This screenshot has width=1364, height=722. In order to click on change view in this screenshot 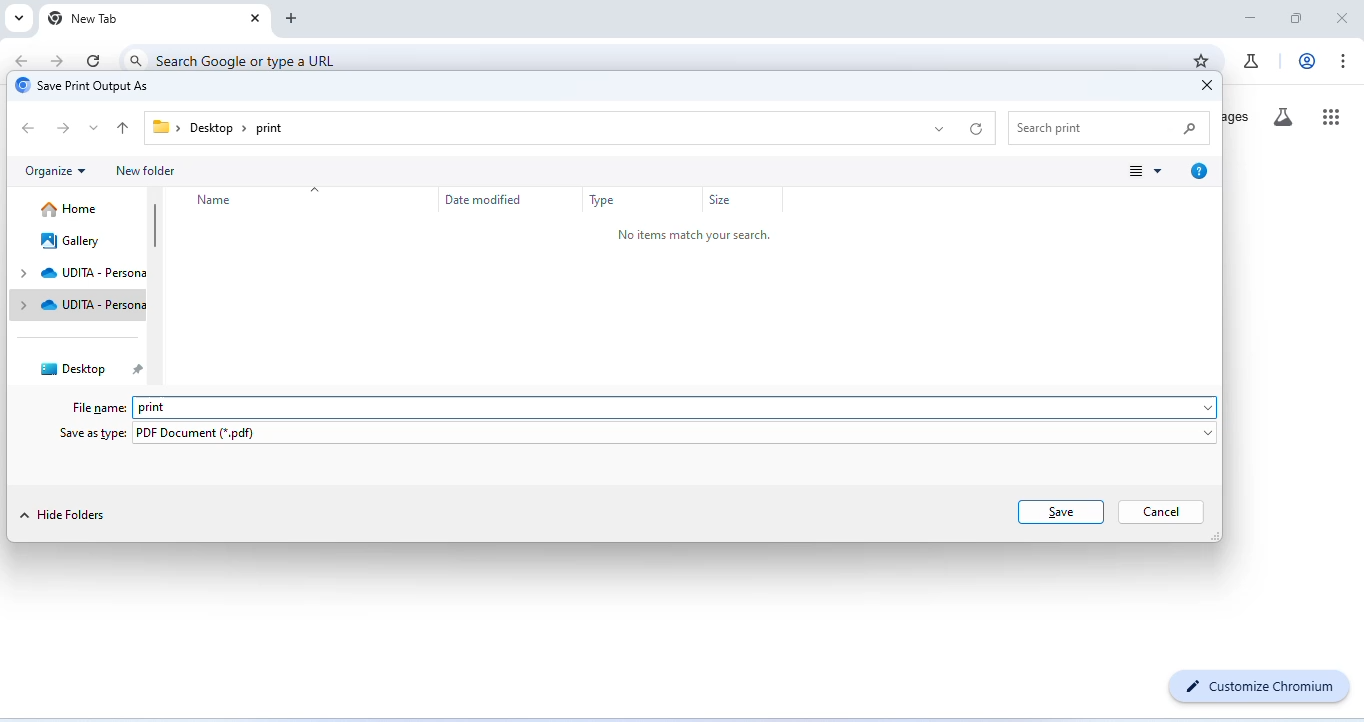, I will do `click(1147, 172)`.